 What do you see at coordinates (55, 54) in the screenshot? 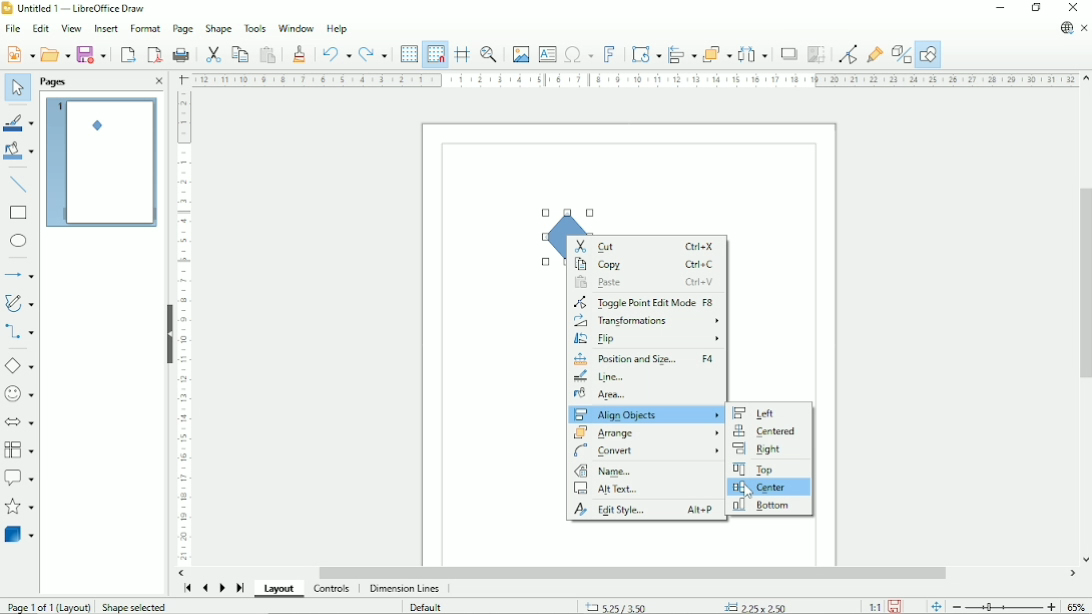
I see `Open ` at bounding box center [55, 54].